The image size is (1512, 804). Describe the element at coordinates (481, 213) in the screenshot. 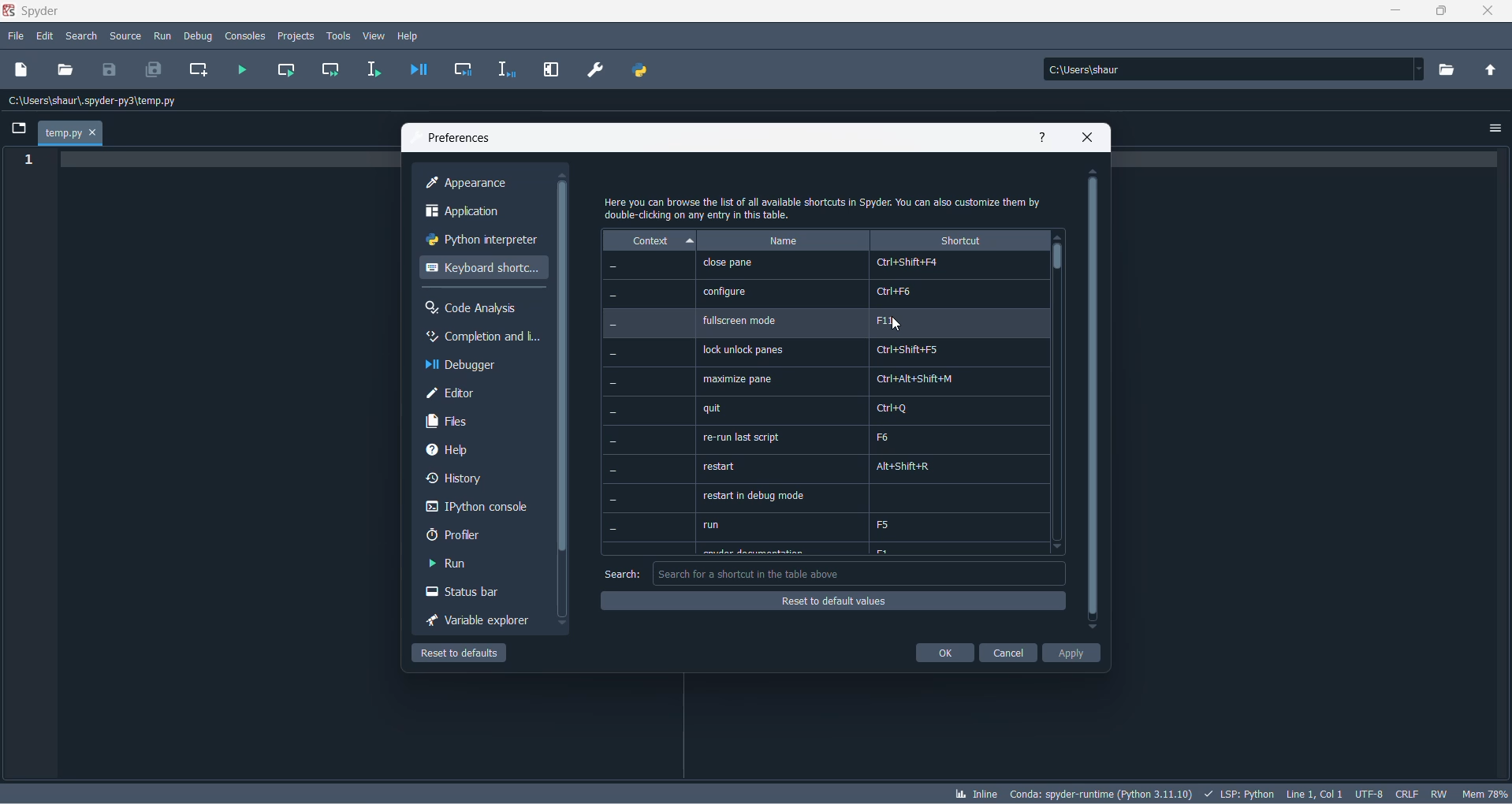

I see `application` at that location.